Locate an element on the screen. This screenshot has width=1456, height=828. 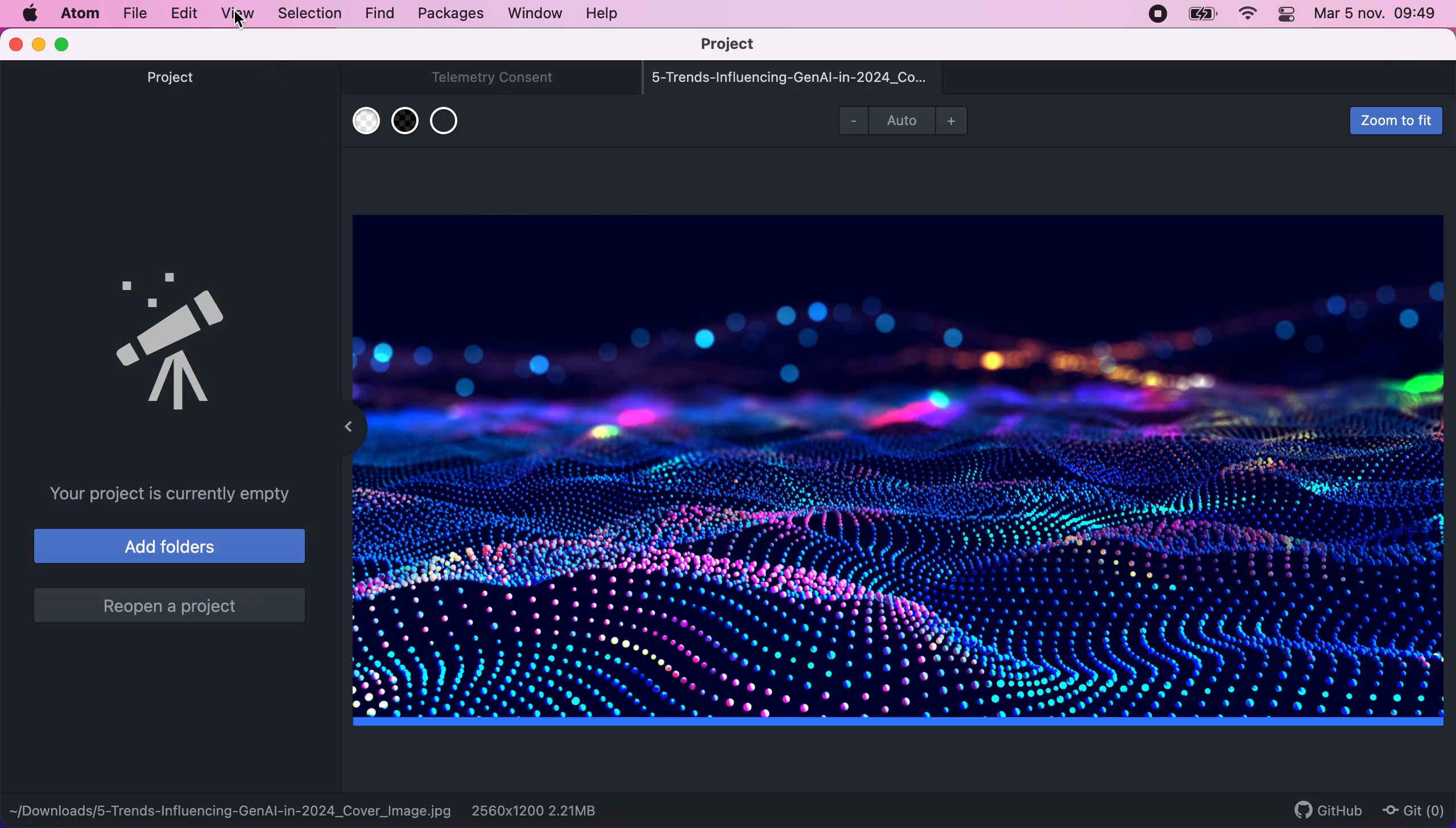
maximize is located at coordinates (71, 43).